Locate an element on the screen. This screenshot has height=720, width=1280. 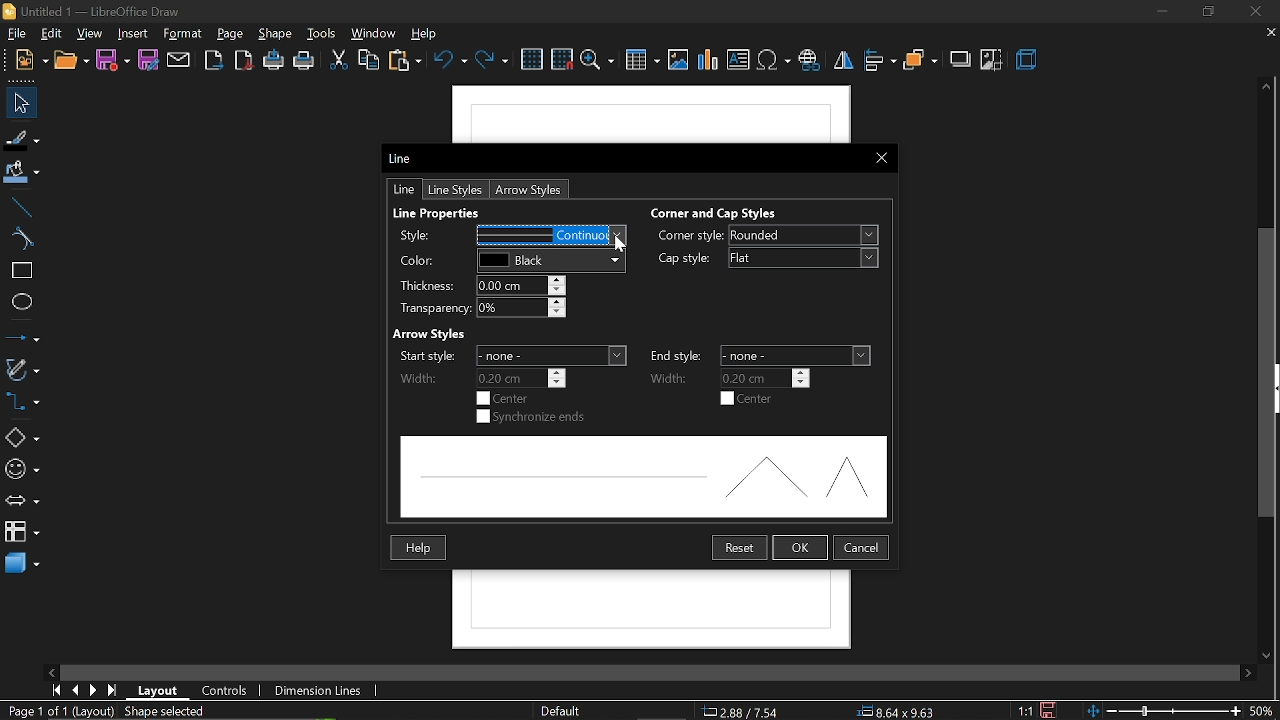
end style is located at coordinates (760, 354).